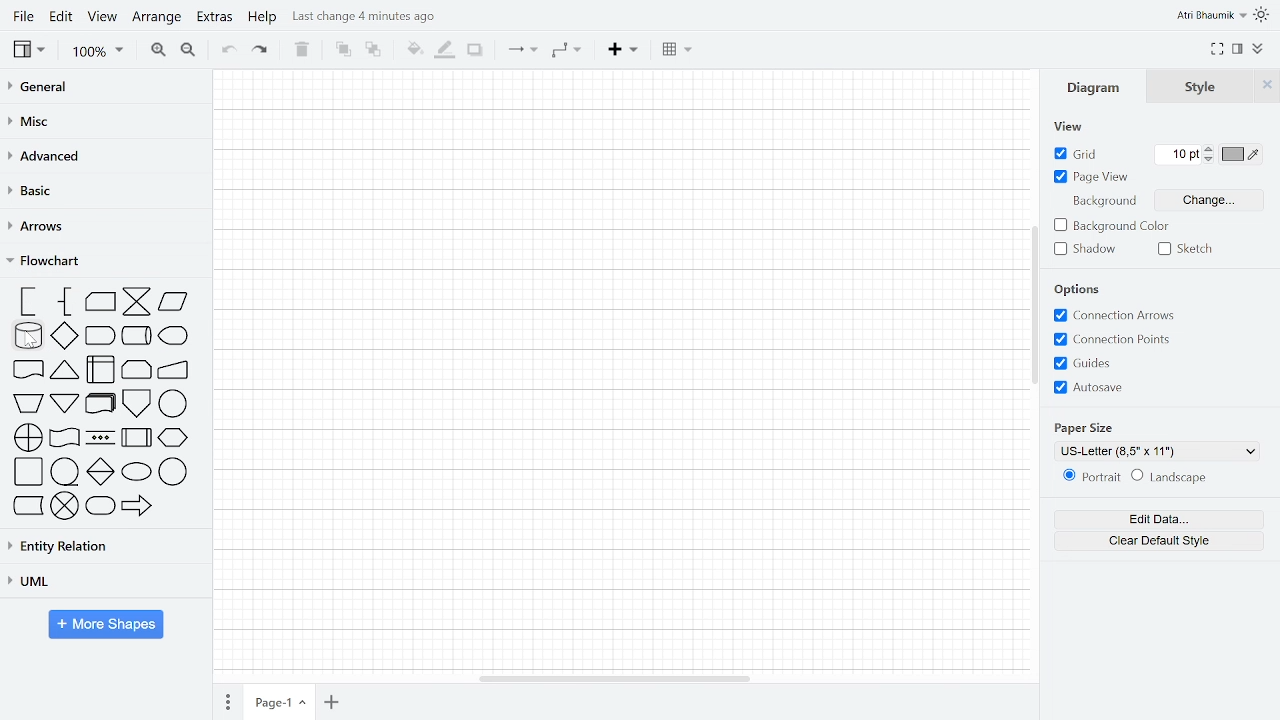 This screenshot has height=720, width=1280. What do you see at coordinates (137, 370) in the screenshot?
I see `loop limit ` at bounding box center [137, 370].